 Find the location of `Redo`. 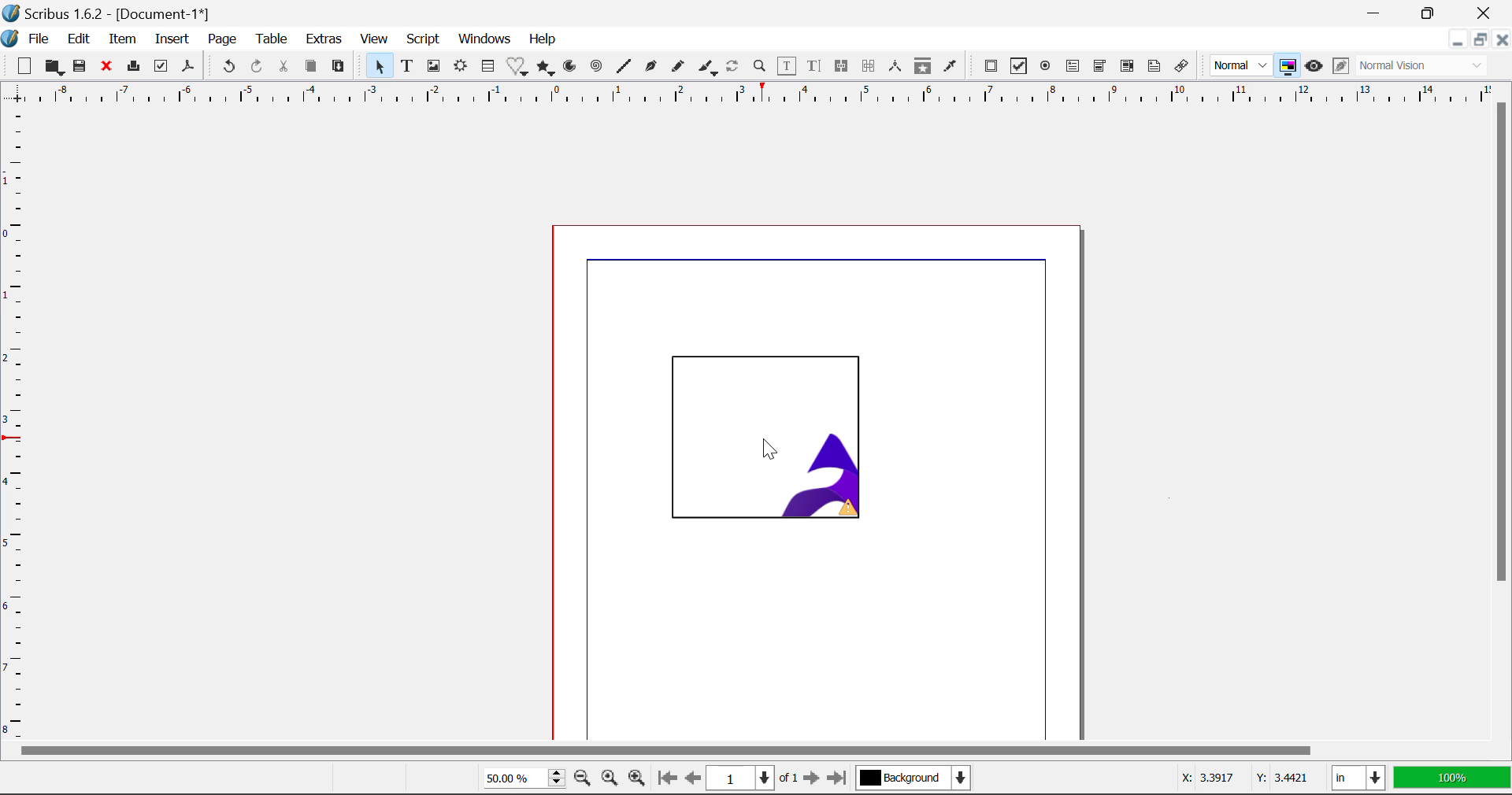

Redo is located at coordinates (260, 67).